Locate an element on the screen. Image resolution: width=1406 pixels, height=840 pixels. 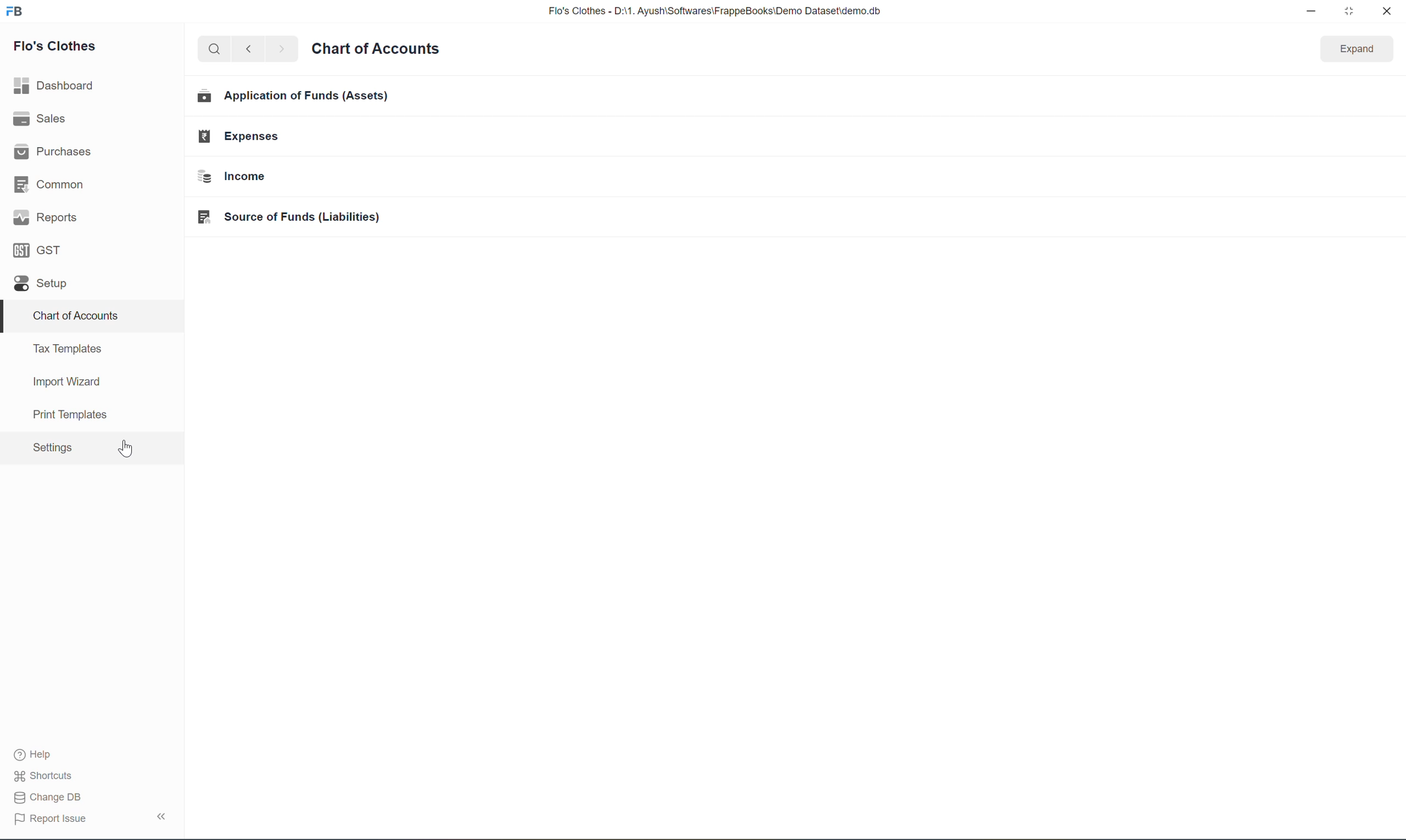
Help is located at coordinates (38, 755).